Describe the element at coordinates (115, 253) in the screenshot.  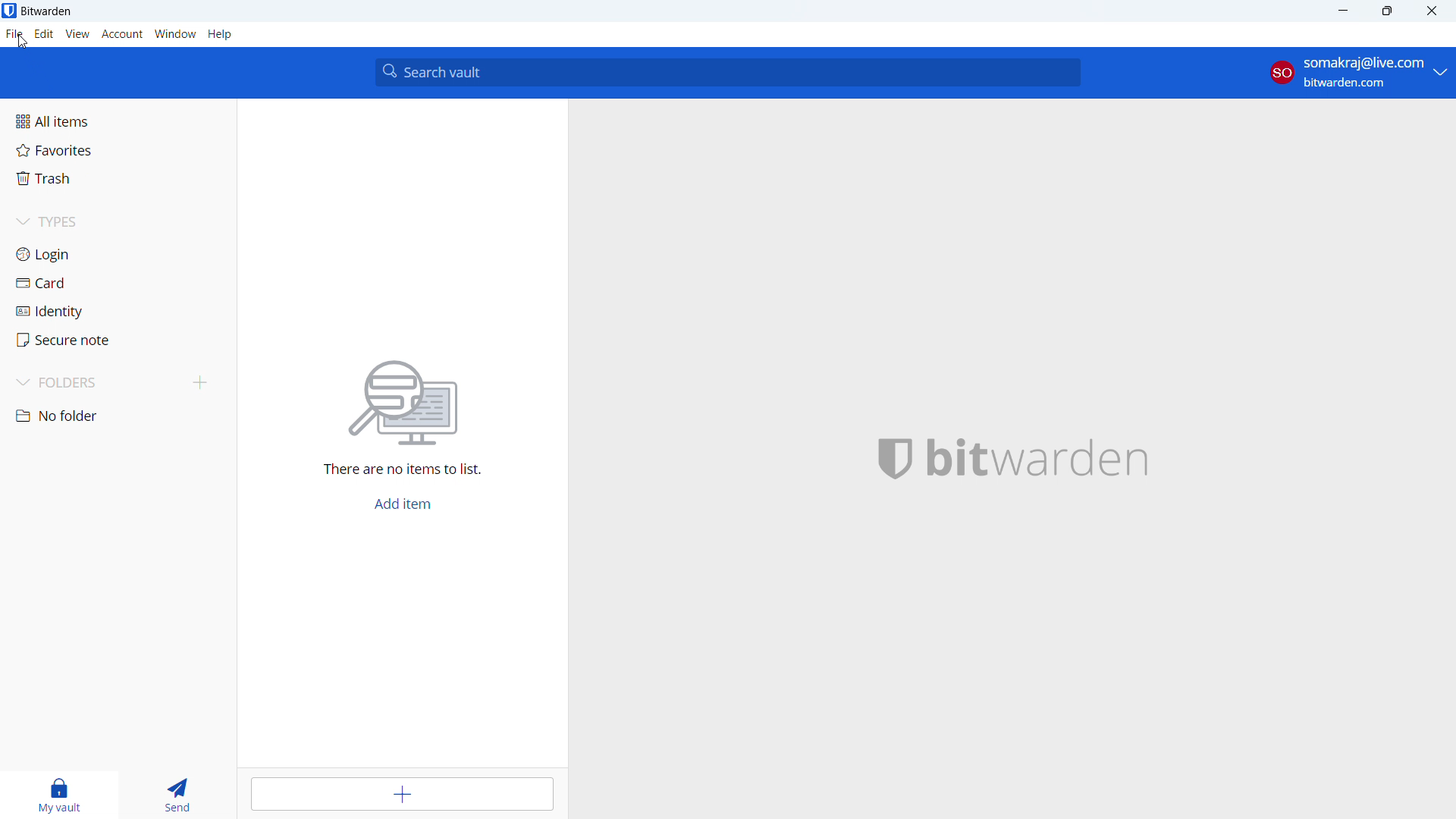
I see `login` at that location.